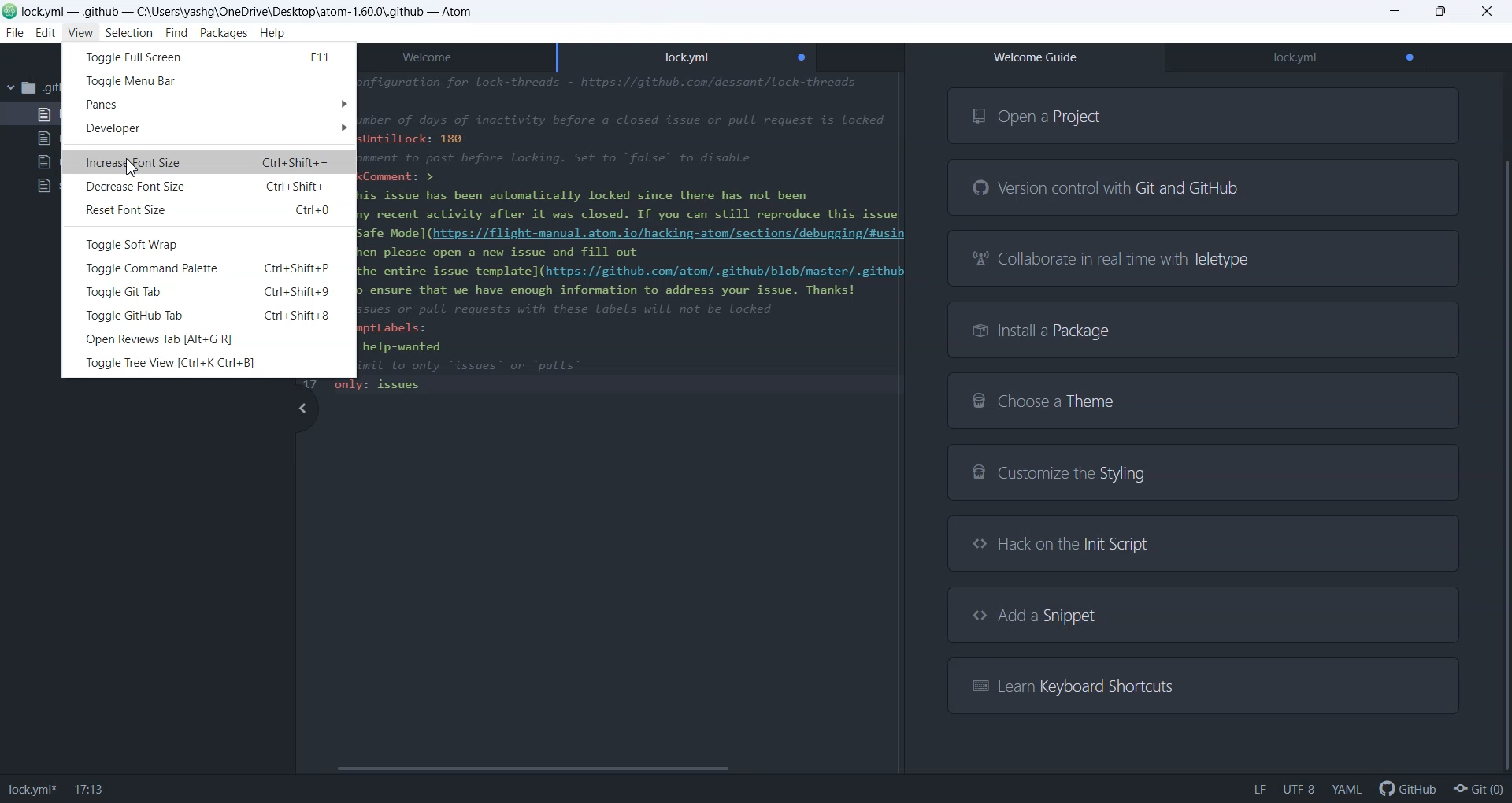 The height and width of the screenshot is (803, 1512). What do you see at coordinates (45, 34) in the screenshot?
I see `Edit` at bounding box center [45, 34].